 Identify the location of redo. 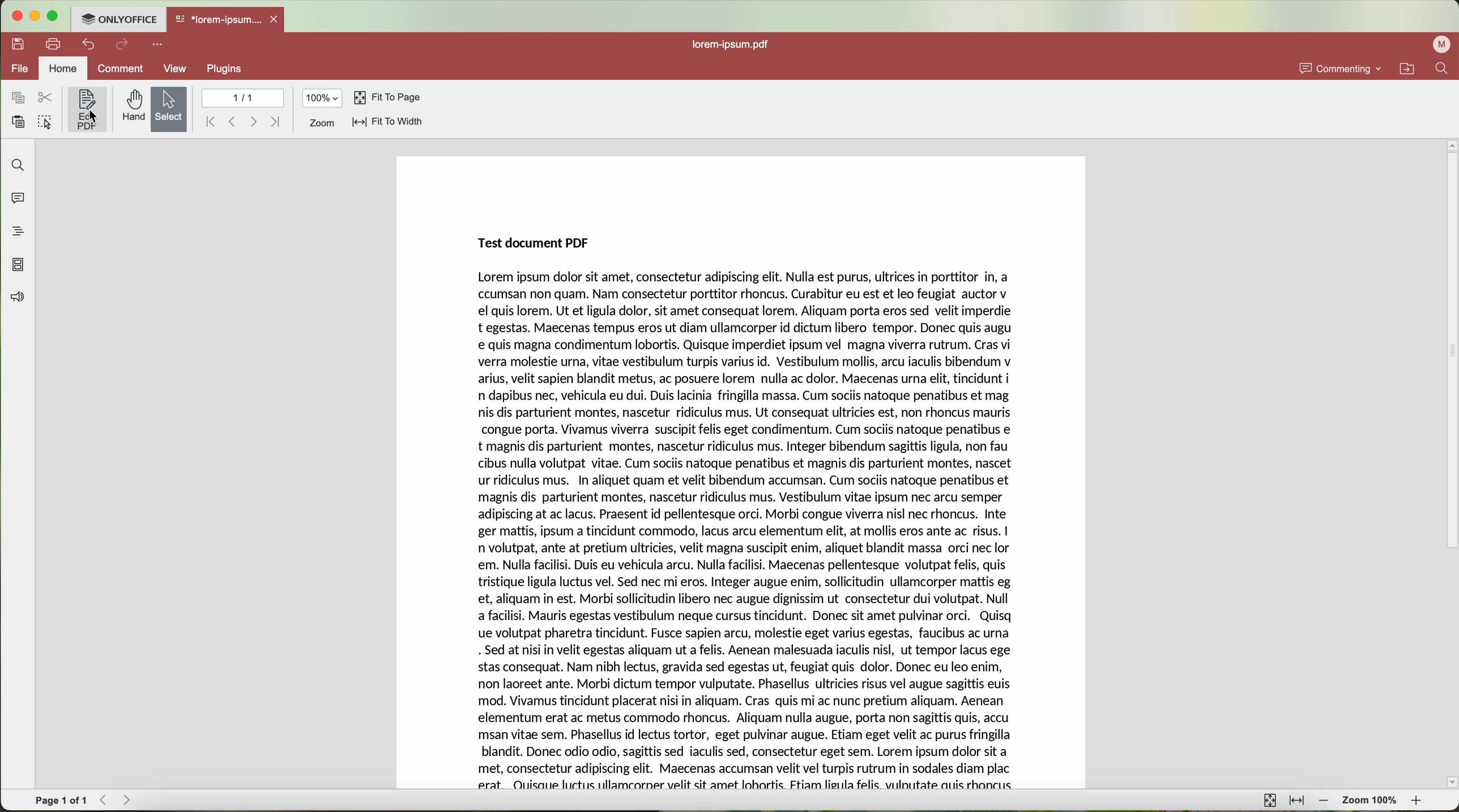
(122, 45).